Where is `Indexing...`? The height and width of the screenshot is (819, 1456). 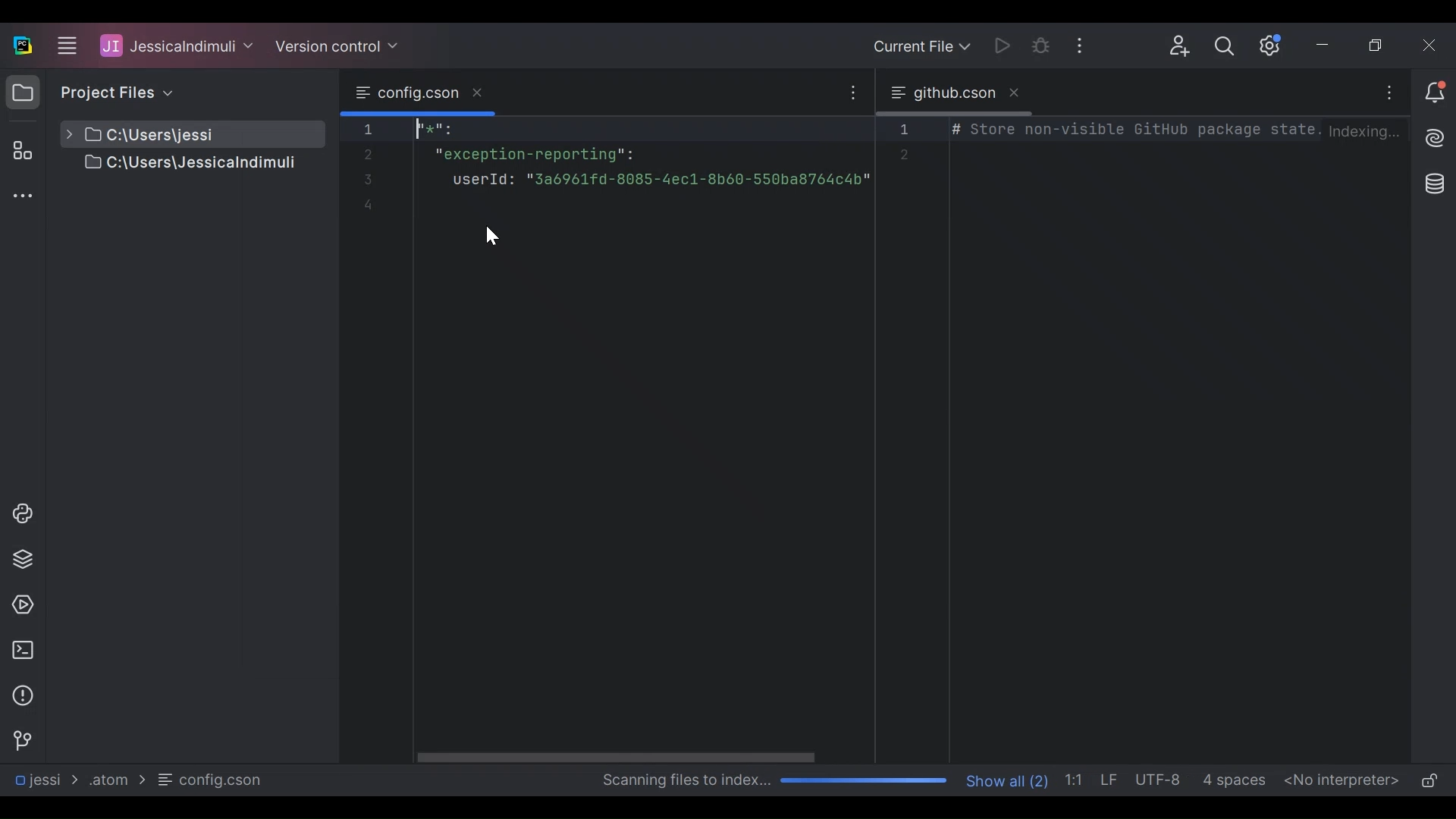 Indexing... is located at coordinates (1368, 131).